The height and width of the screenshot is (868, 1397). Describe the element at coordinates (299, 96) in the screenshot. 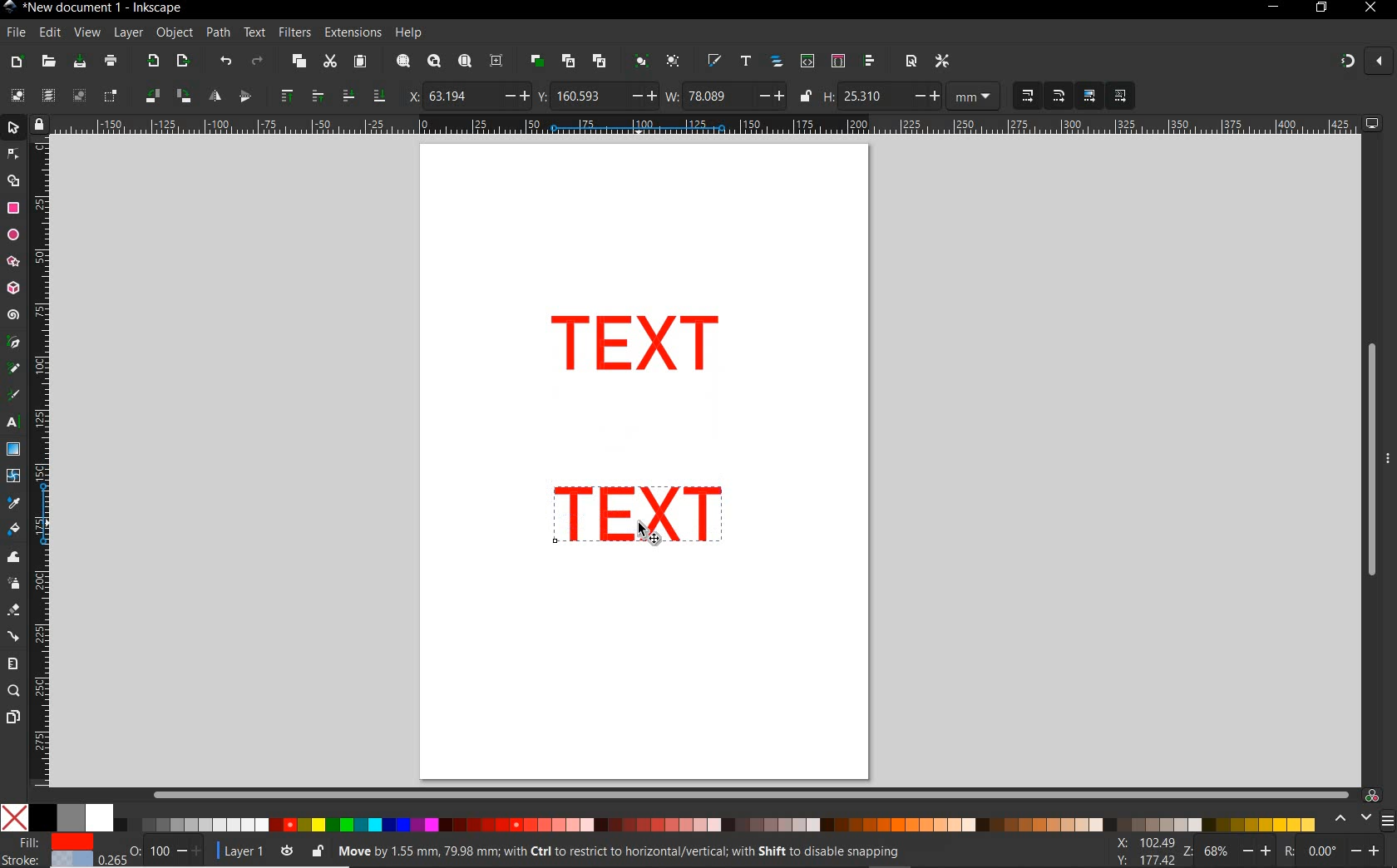

I see `raise selection` at that location.